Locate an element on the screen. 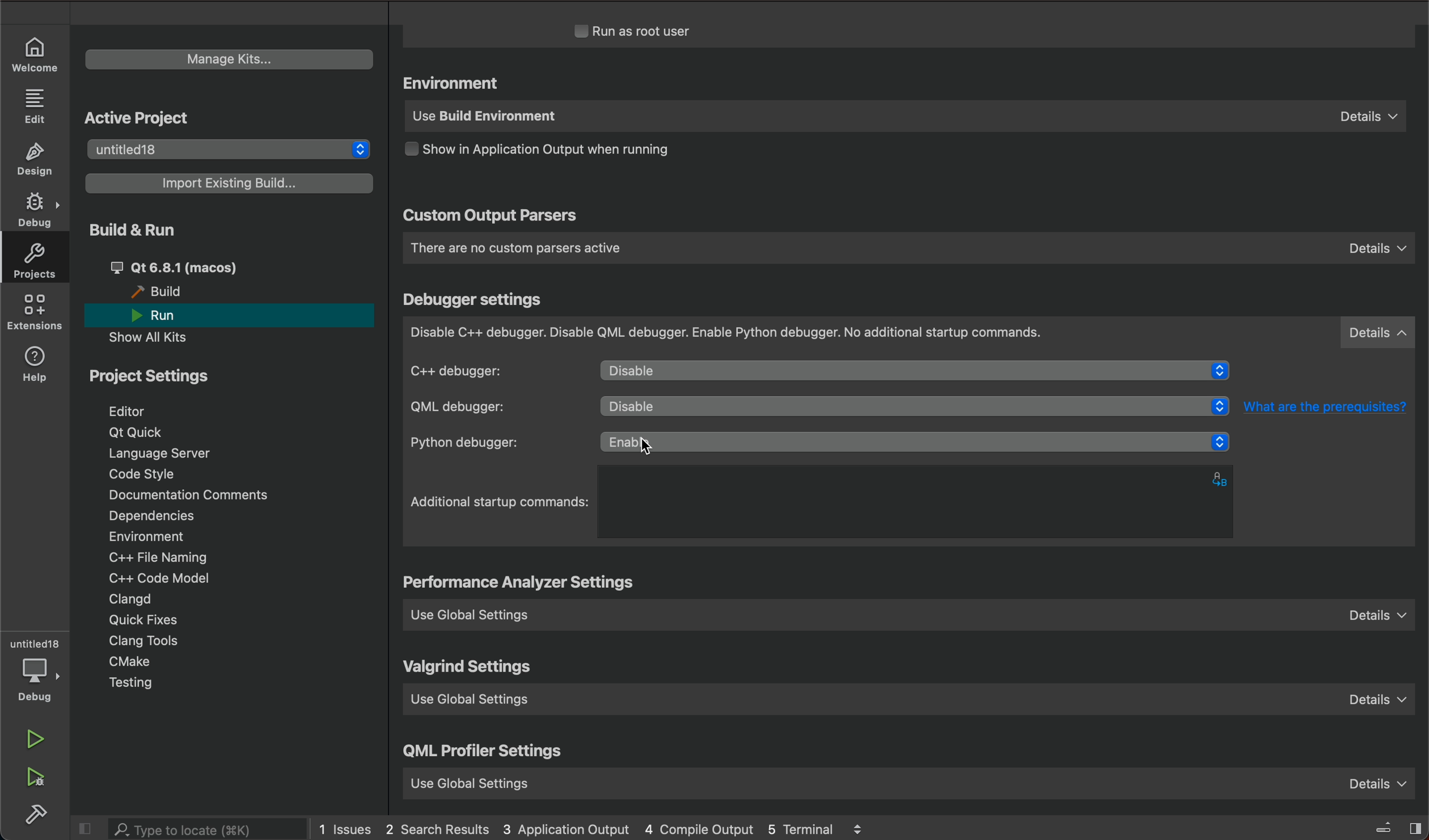  use global  is located at coordinates (907, 780).